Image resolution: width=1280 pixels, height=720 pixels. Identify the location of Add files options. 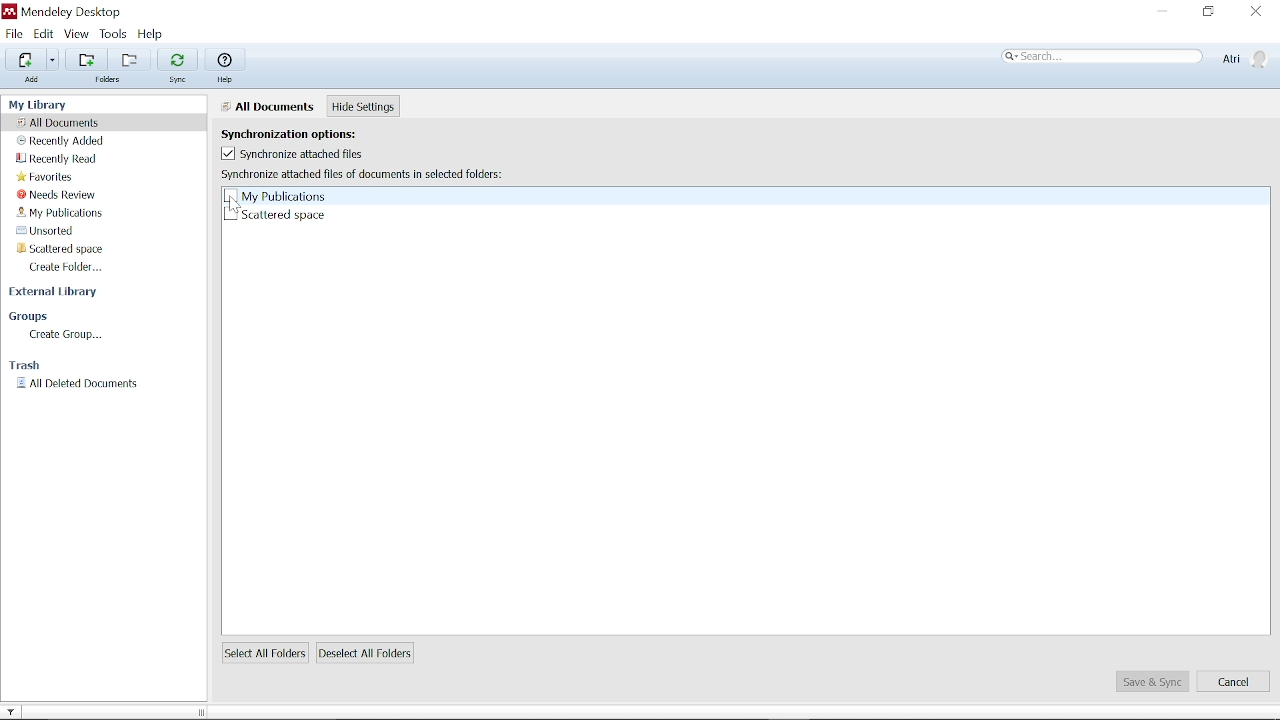
(53, 62).